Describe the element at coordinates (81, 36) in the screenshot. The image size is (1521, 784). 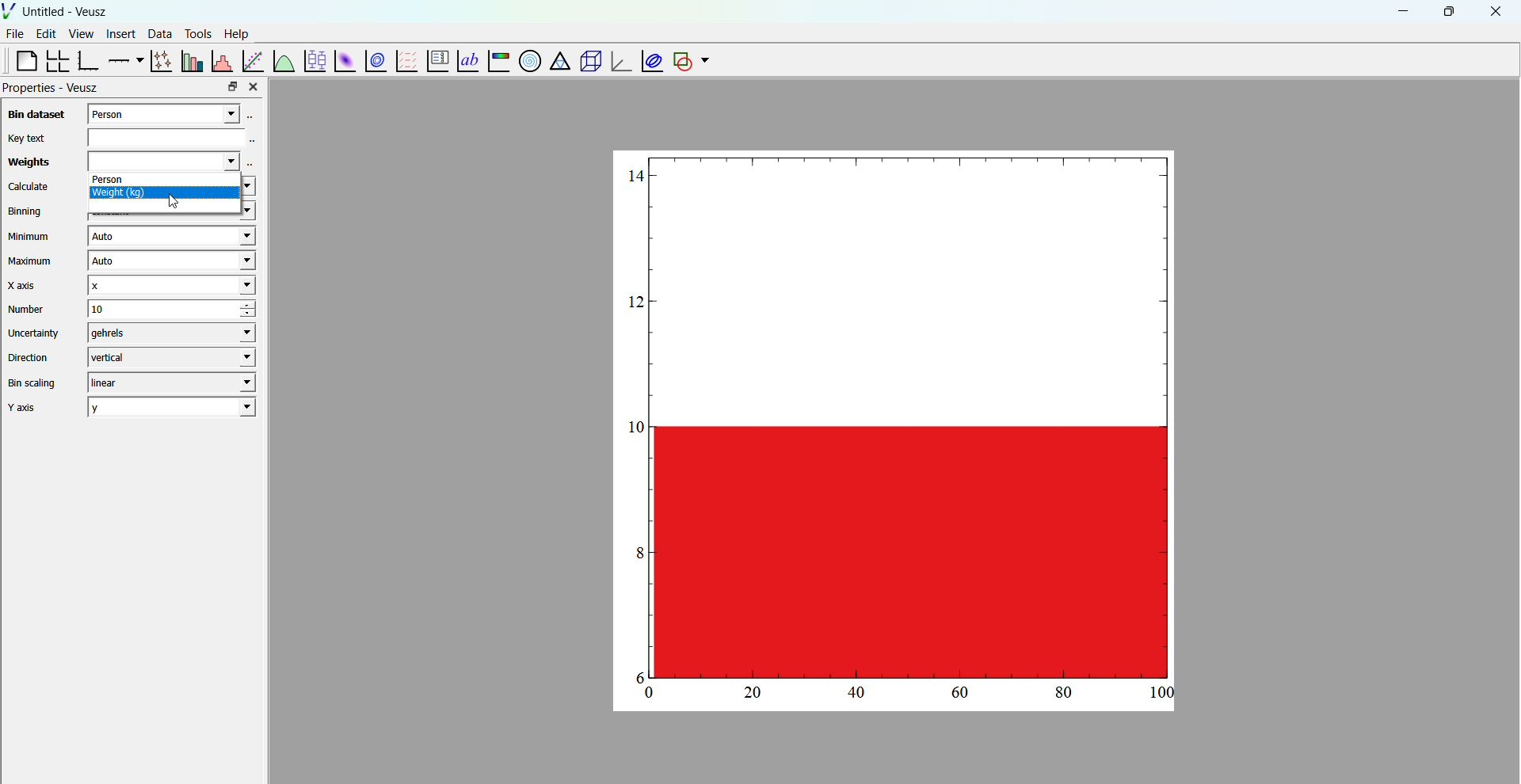
I see `view` at that location.